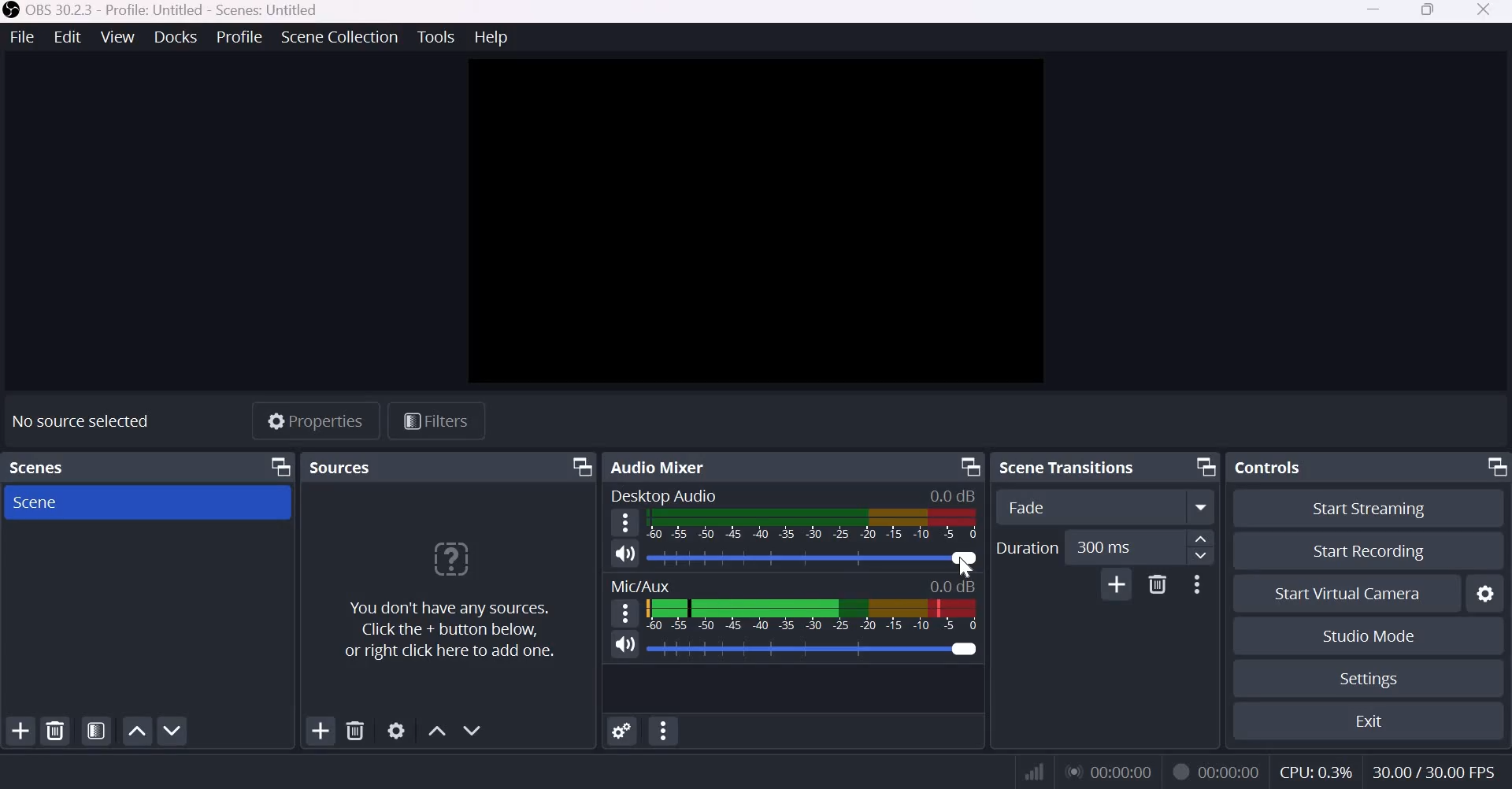  I want to click on Exit, so click(1377, 722).